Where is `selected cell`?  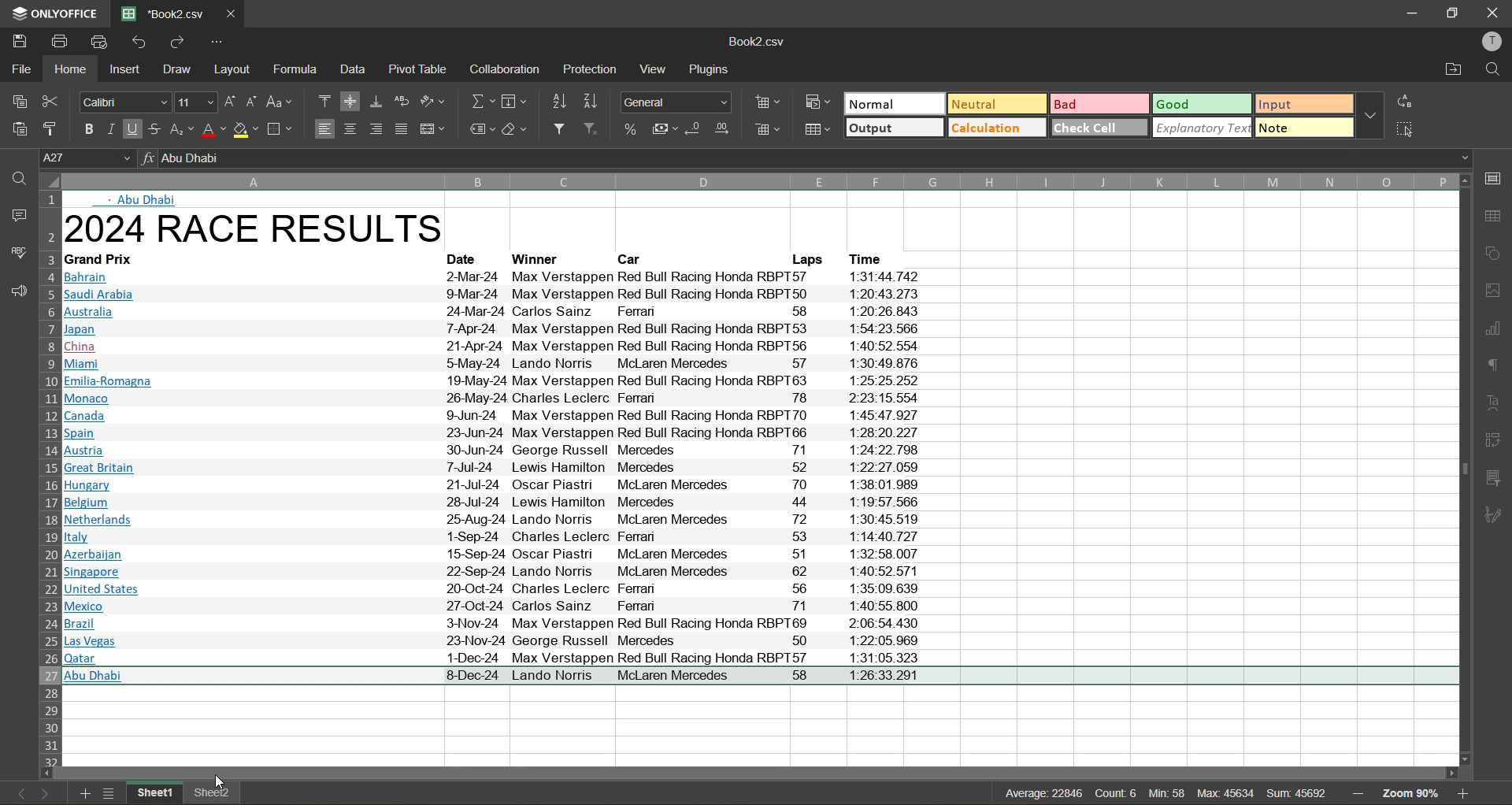 selected cell is located at coordinates (254, 710).